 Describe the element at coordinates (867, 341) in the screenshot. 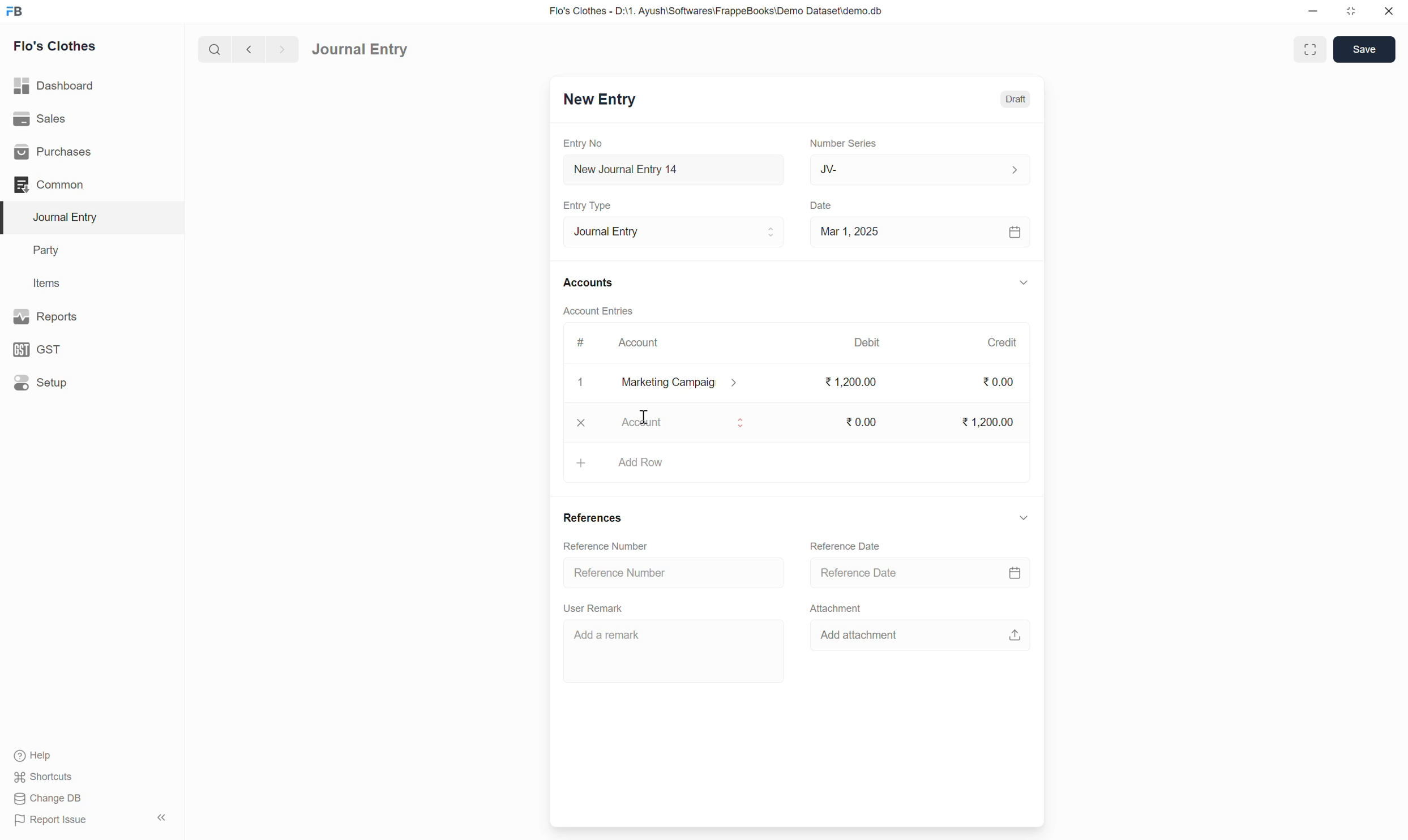

I see `Debit` at that location.